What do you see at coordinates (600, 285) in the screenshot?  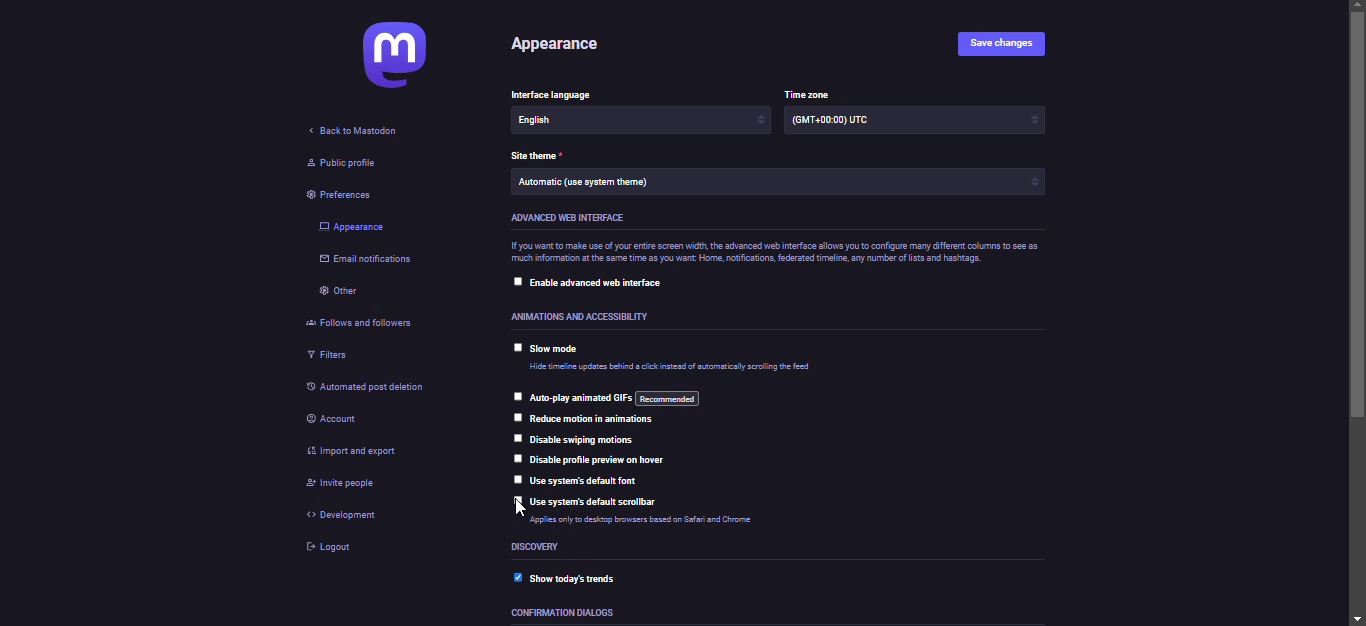 I see `enable advanced web interface` at bounding box center [600, 285].